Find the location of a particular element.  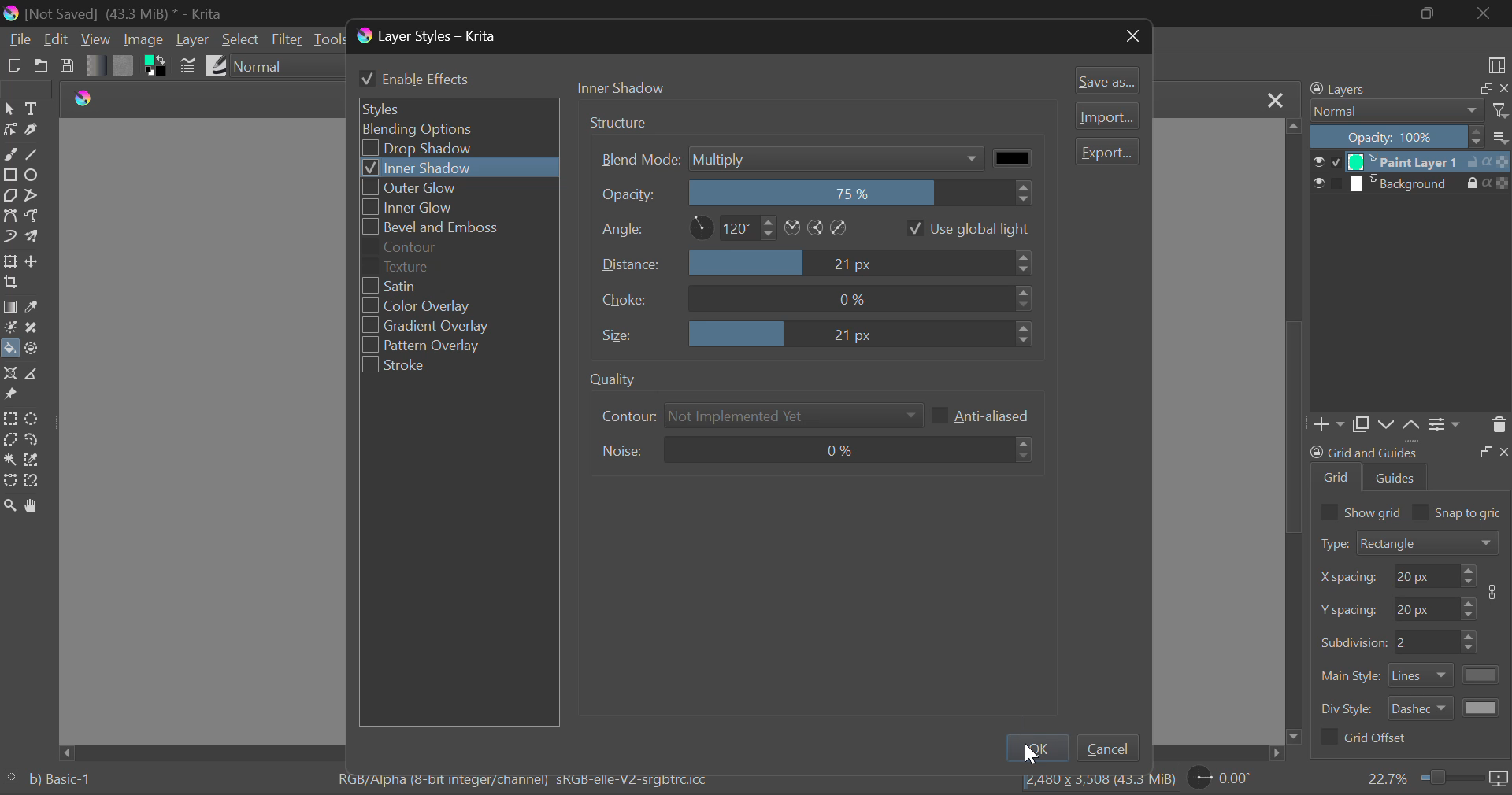

Tools is located at coordinates (332, 39).